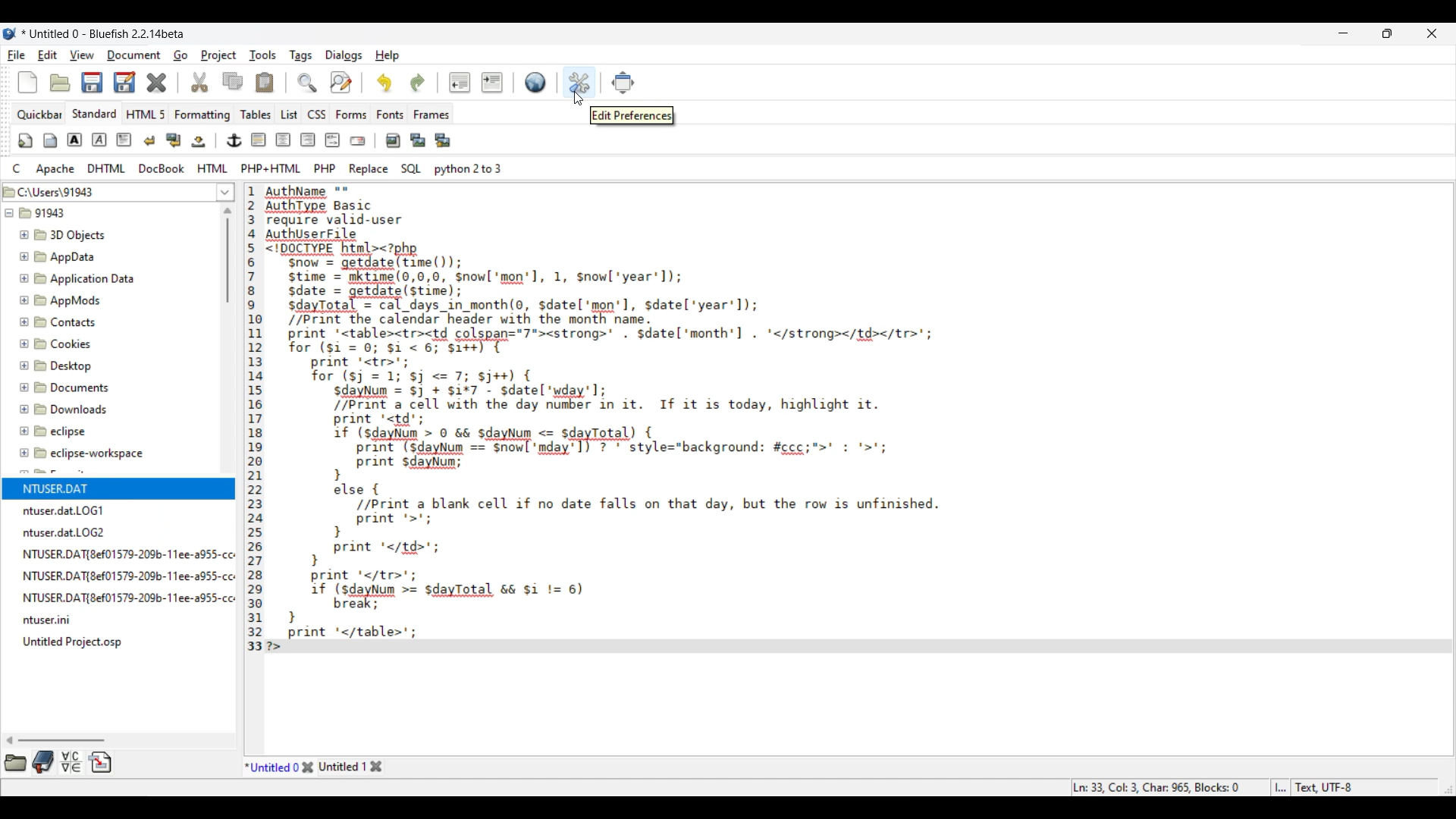  What do you see at coordinates (384, 83) in the screenshot?
I see `Undo` at bounding box center [384, 83].